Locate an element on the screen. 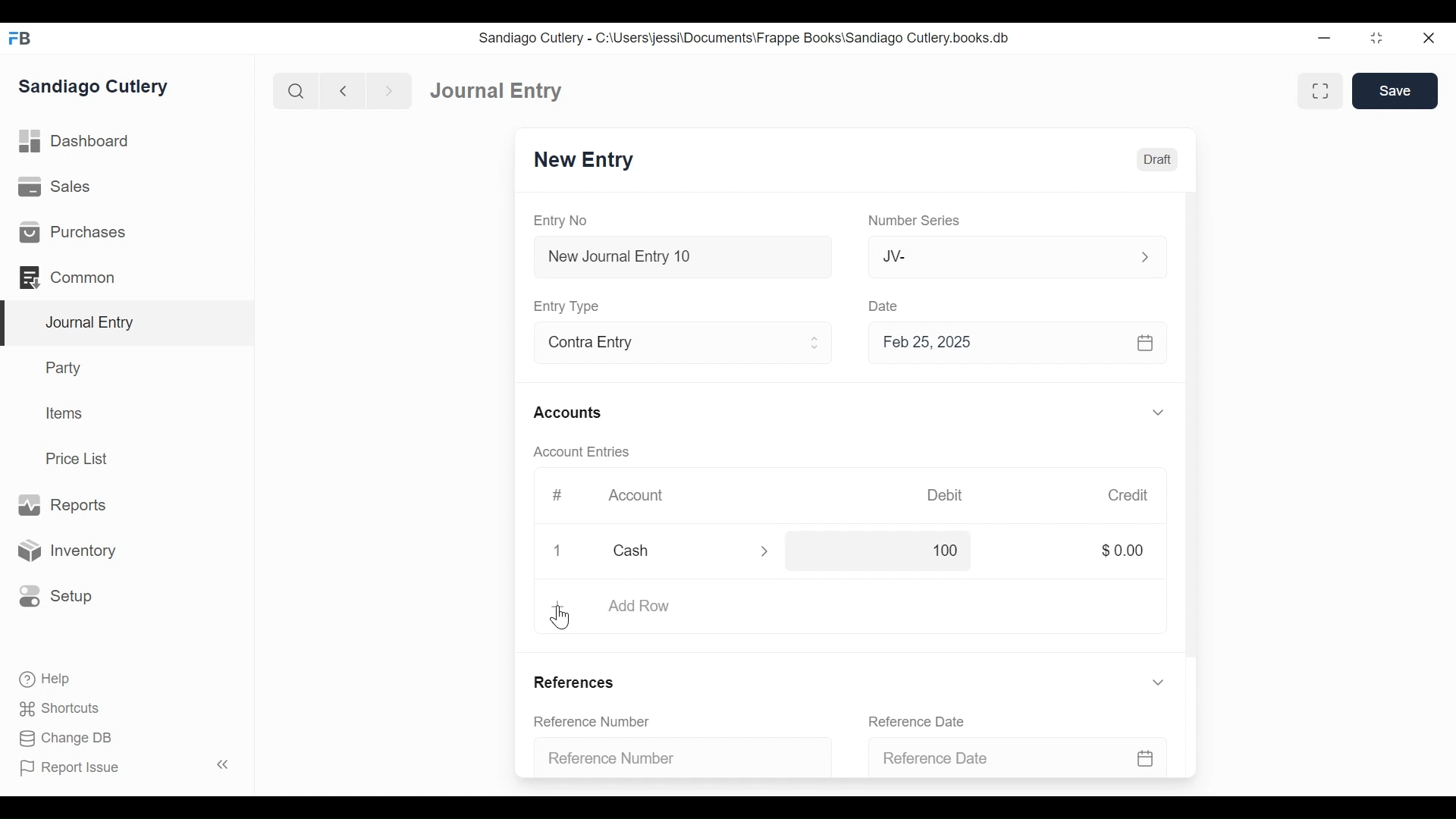 This screenshot has width=1456, height=819. Vertical Scroll bar is located at coordinates (1194, 434).